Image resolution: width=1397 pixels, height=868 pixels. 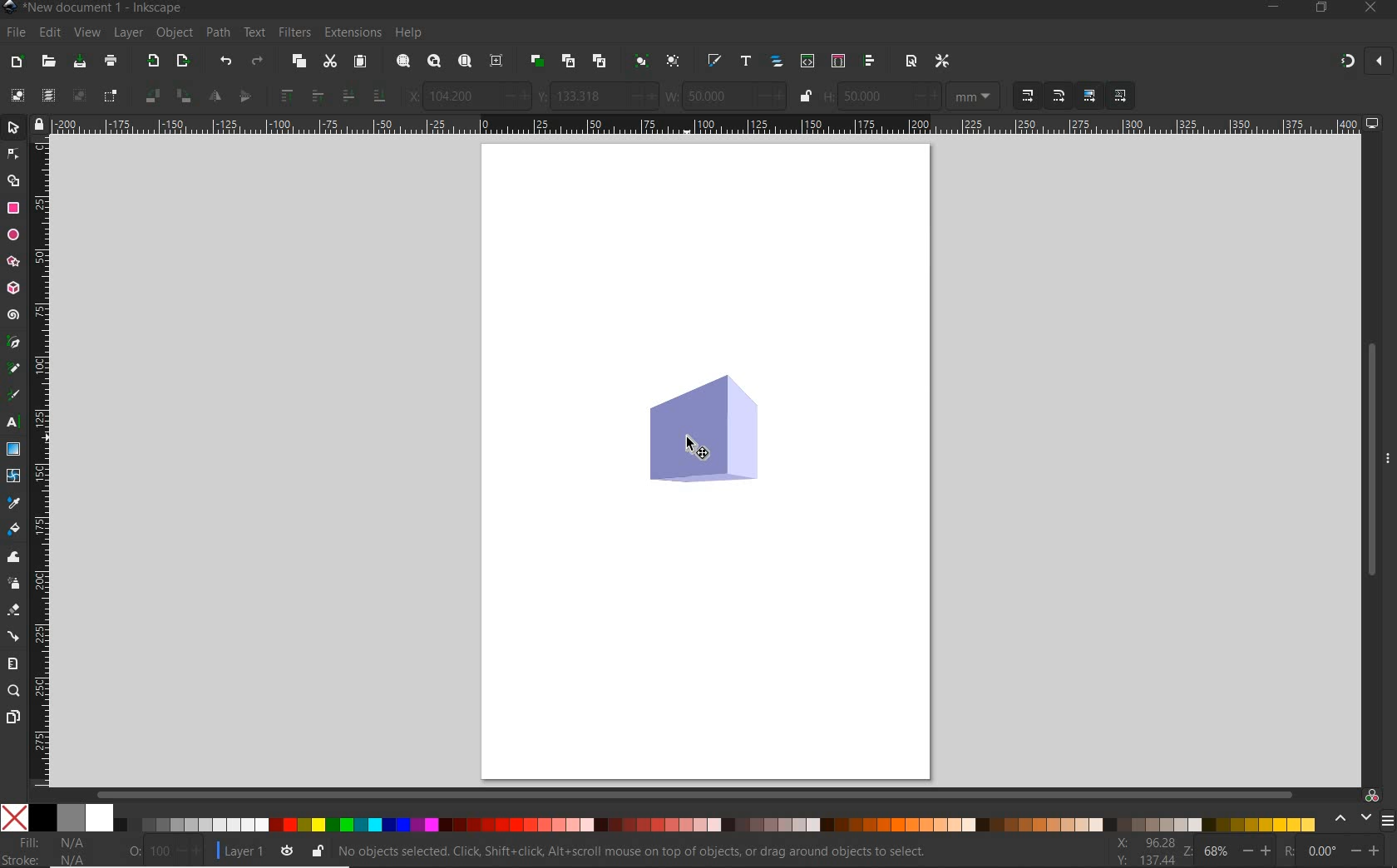 I want to click on toggle current layer visibility, so click(x=284, y=851).